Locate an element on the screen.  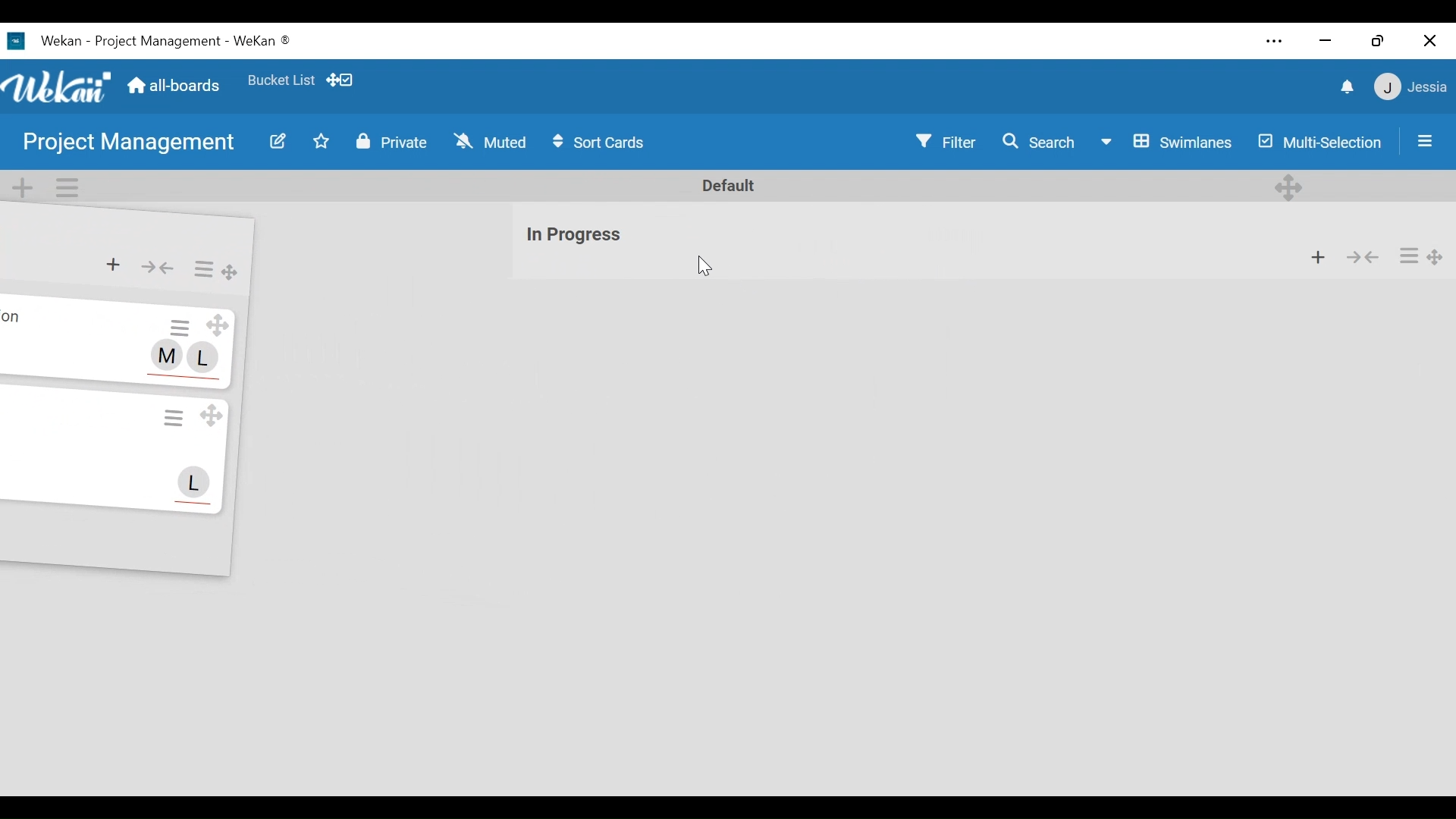
Search is located at coordinates (1039, 142).